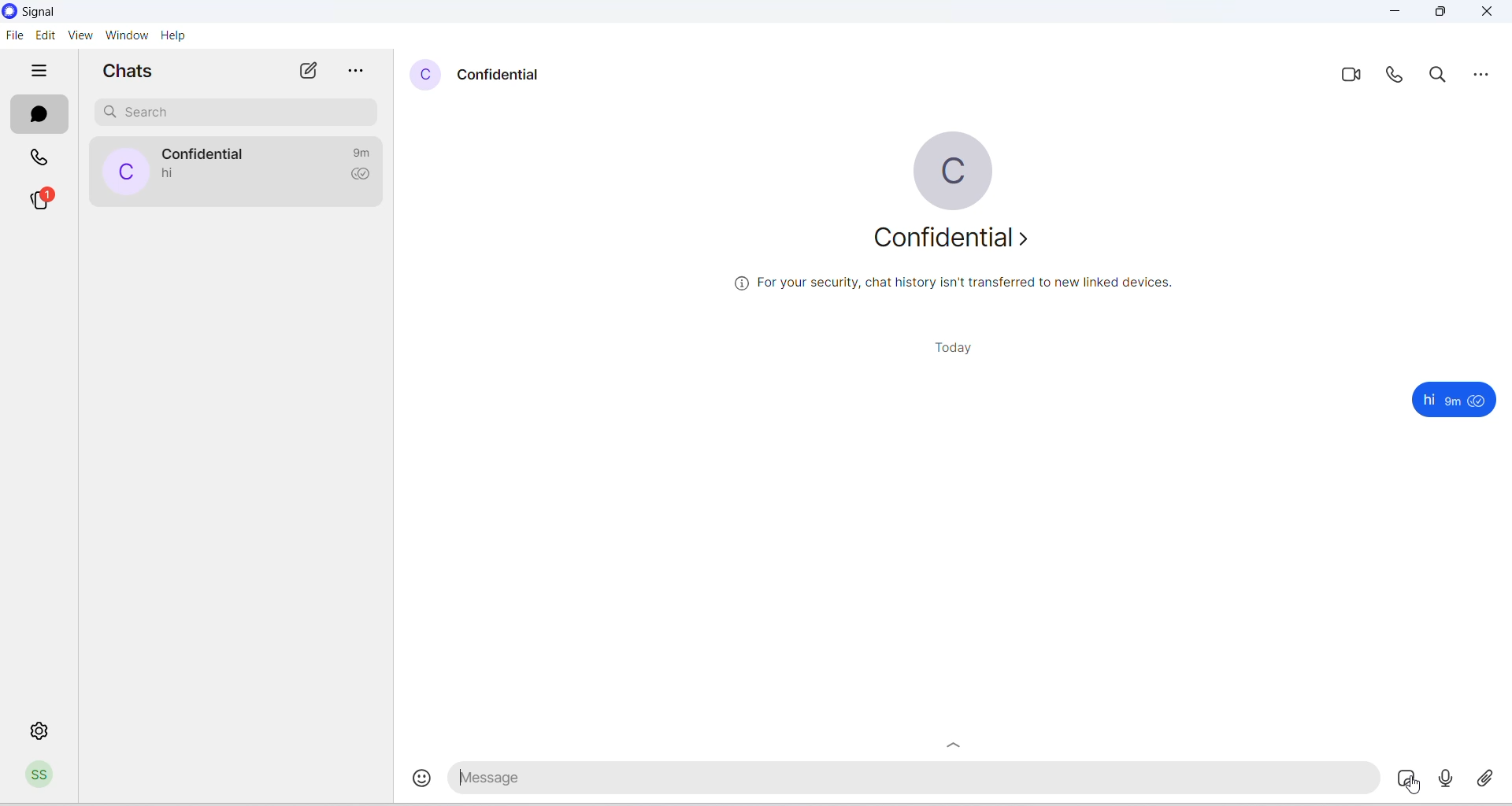 The height and width of the screenshot is (806, 1512). Describe the element at coordinates (1444, 14) in the screenshot. I see `maximize` at that location.